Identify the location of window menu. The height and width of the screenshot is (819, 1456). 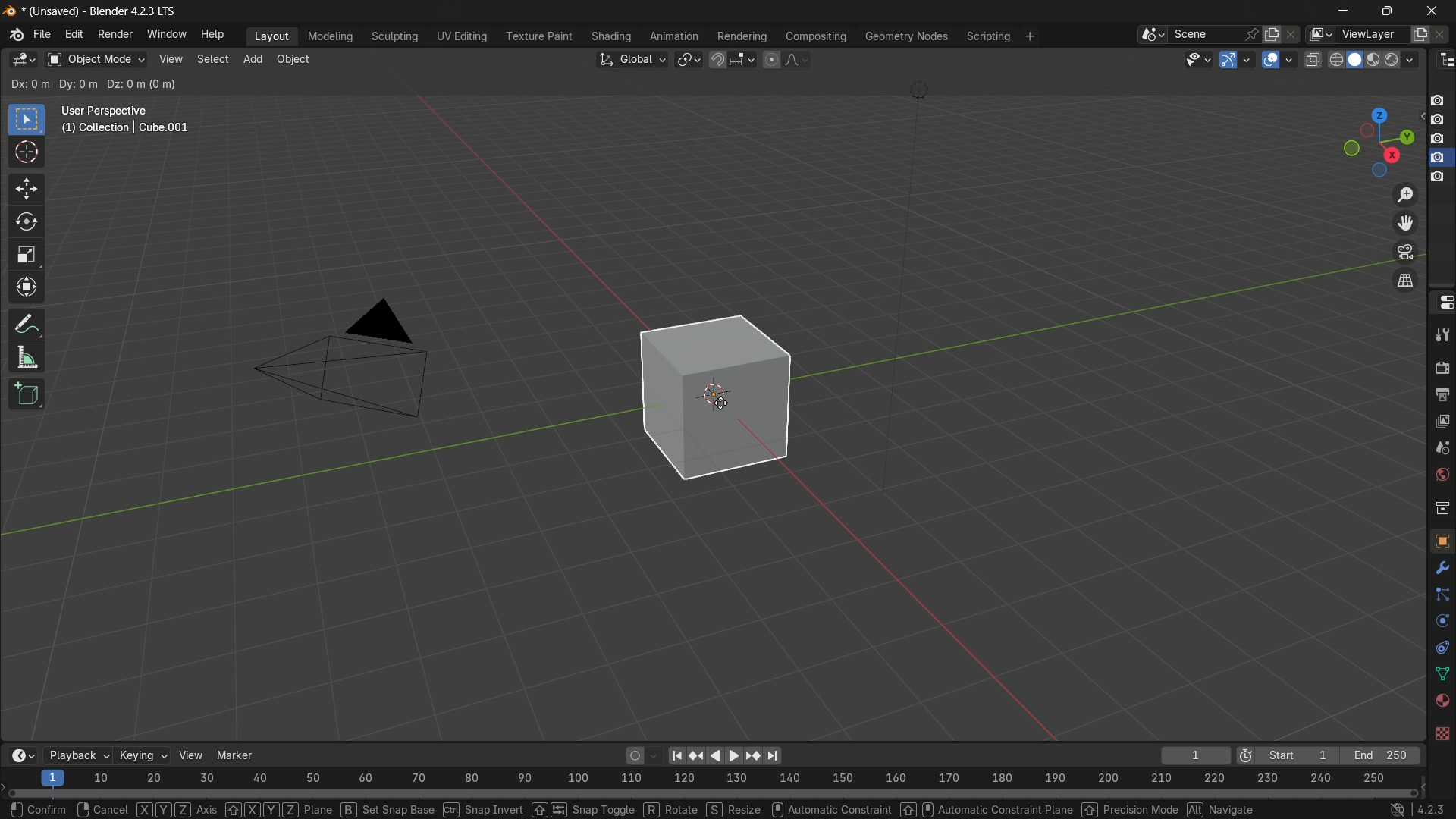
(165, 34).